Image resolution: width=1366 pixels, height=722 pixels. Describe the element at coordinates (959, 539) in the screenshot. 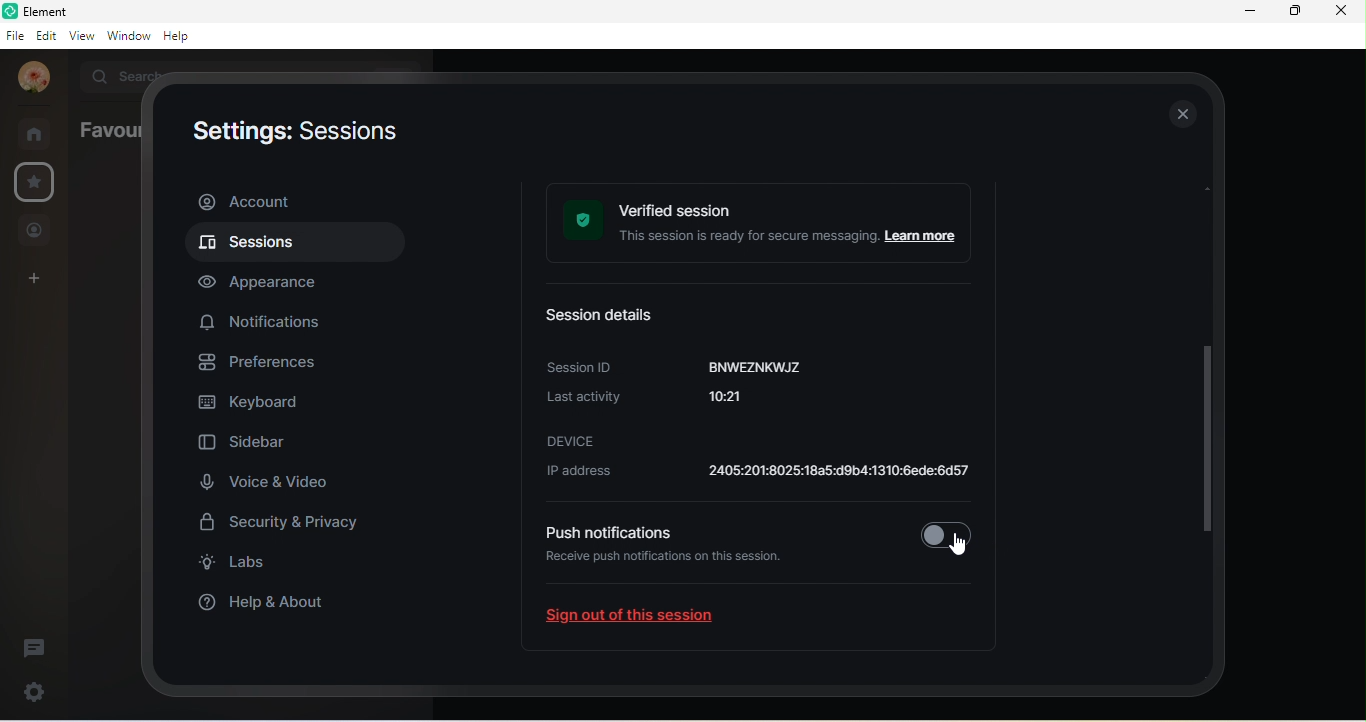

I see `cursor movement` at that location.